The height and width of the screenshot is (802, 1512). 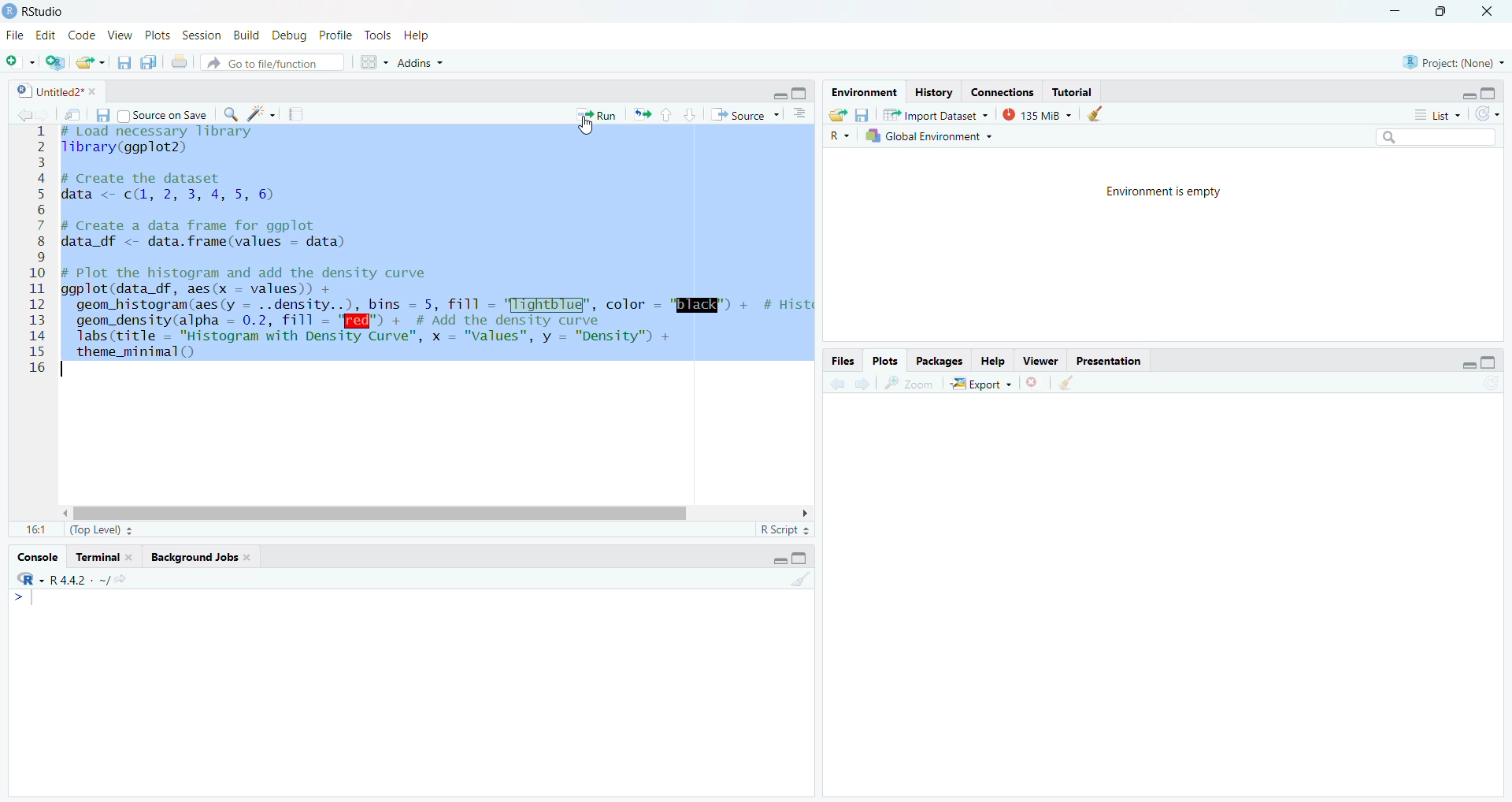 I want to click on Help, so click(x=421, y=35).